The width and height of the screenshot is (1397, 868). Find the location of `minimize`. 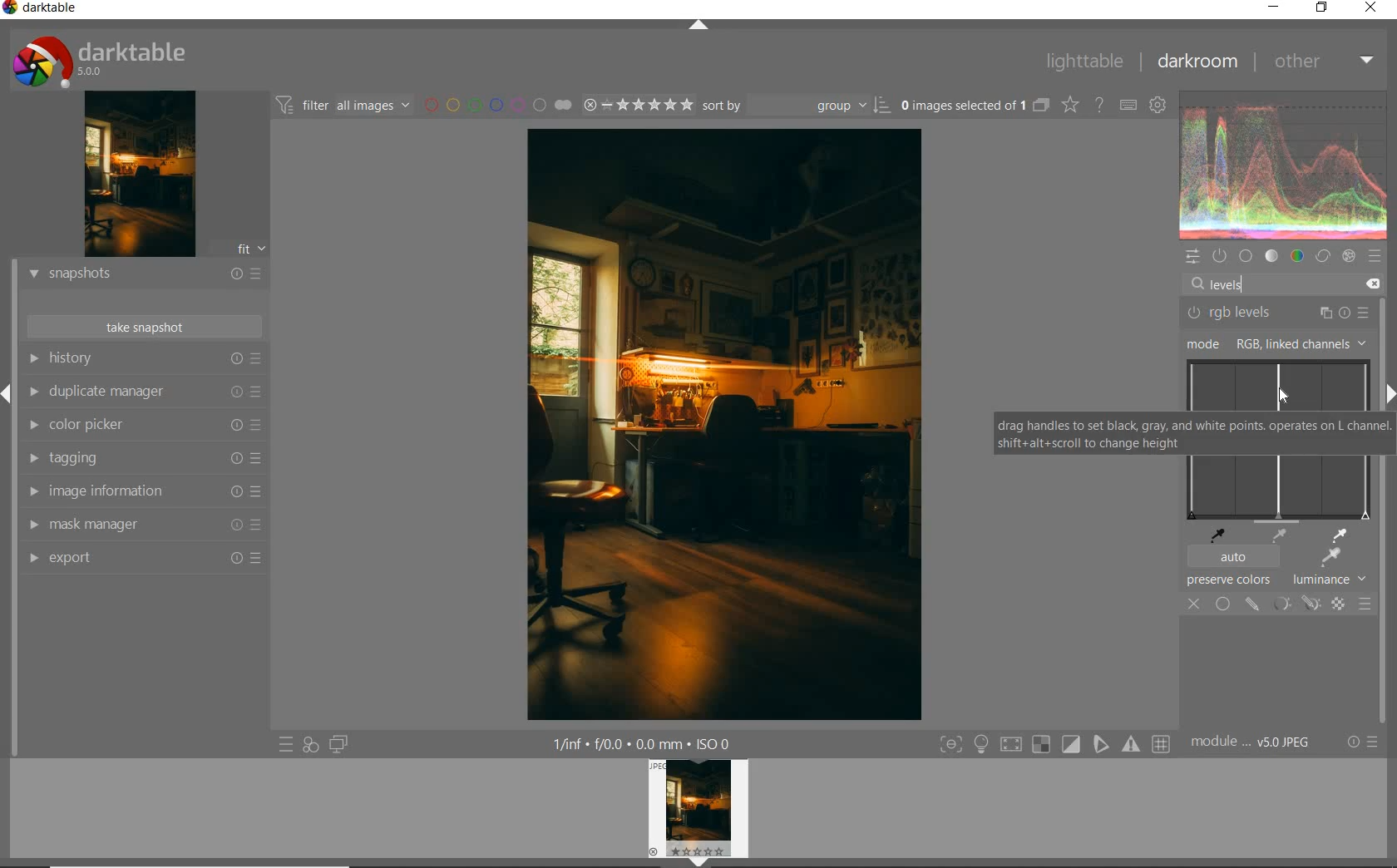

minimize is located at coordinates (1274, 7).